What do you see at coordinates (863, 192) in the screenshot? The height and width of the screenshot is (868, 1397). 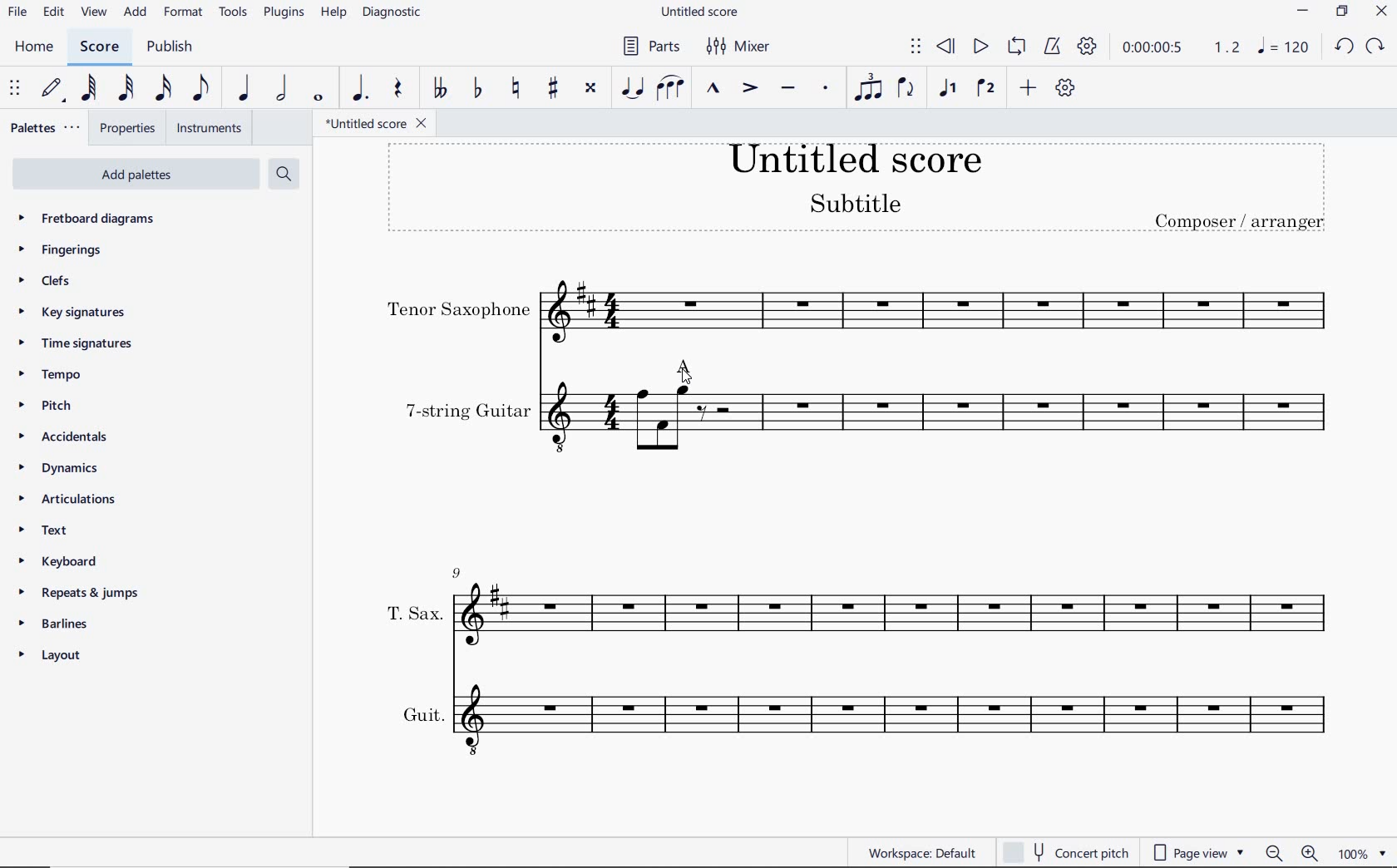 I see `TITLE` at bounding box center [863, 192].